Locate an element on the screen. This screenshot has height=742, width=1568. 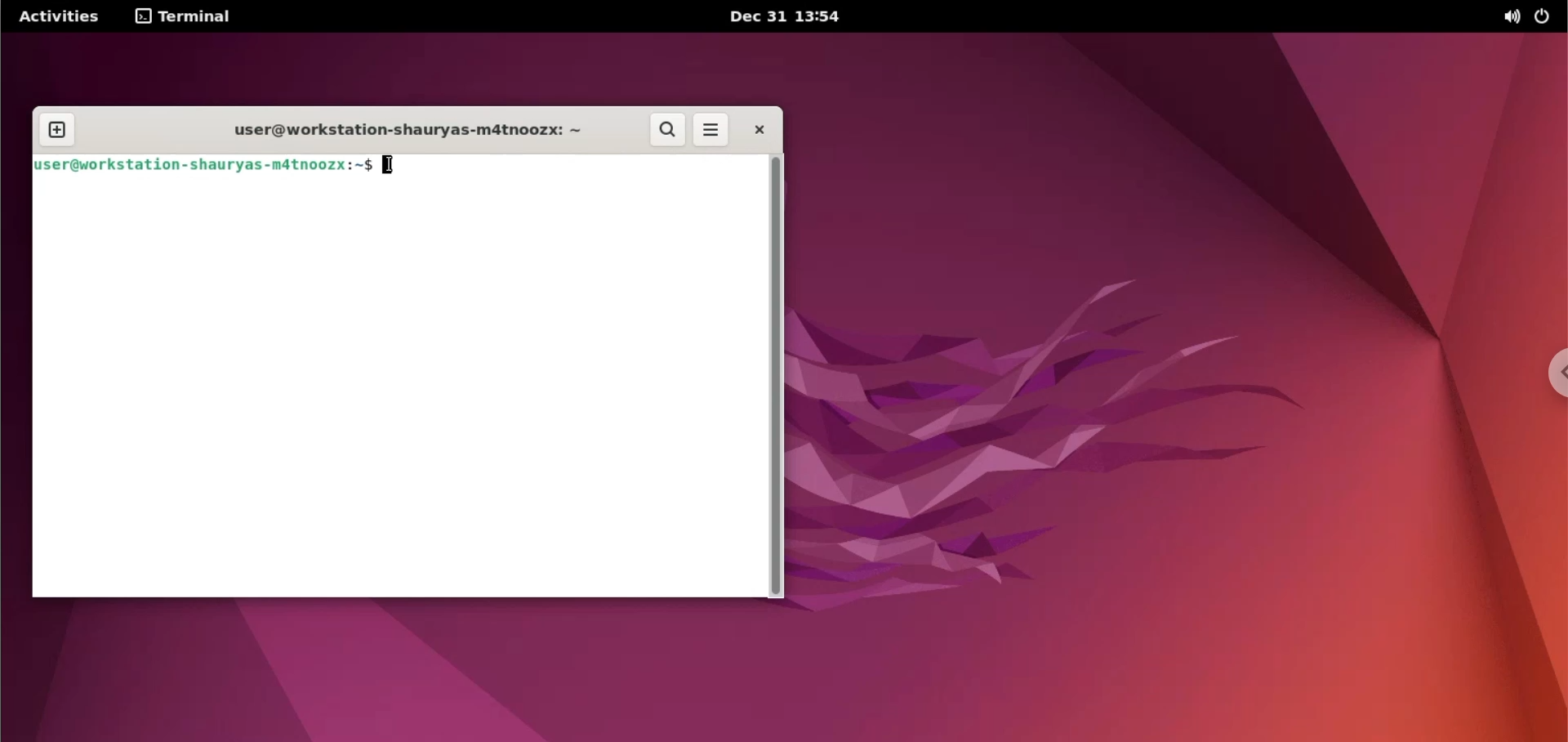
cursor is located at coordinates (393, 166).